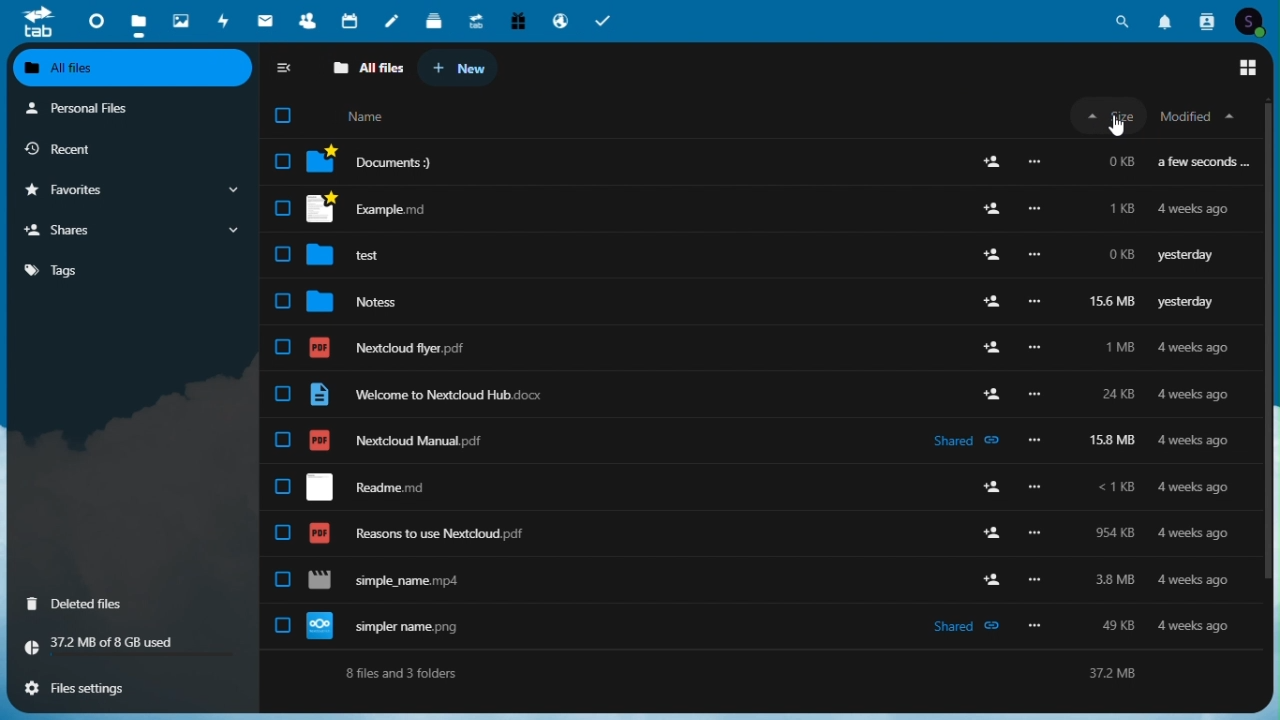 Image resolution: width=1280 pixels, height=720 pixels. What do you see at coordinates (1200, 114) in the screenshot?
I see `Modified` at bounding box center [1200, 114].